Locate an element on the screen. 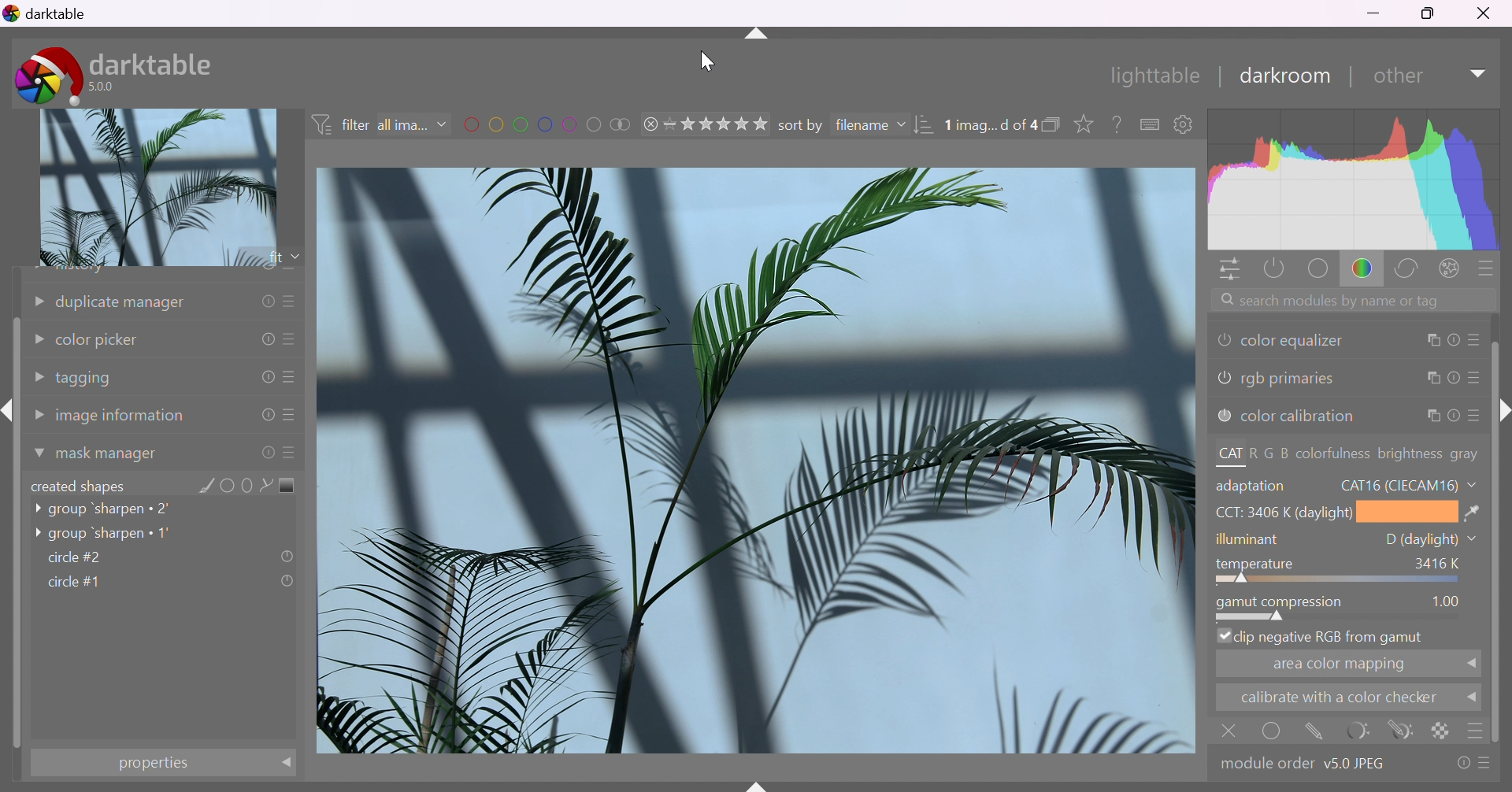  correct is located at coordinates (1407, 268).